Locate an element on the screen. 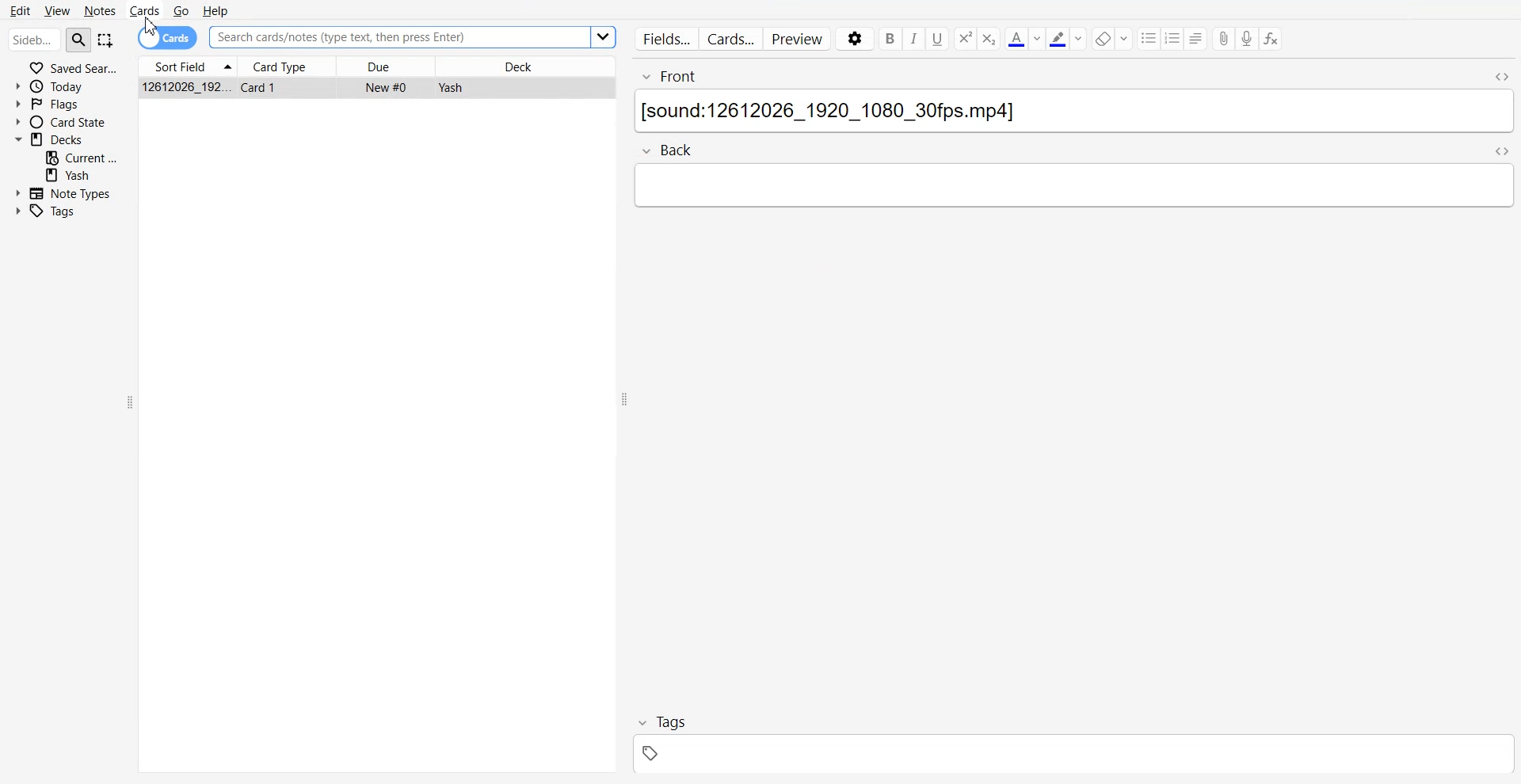  Toggle HTML Editor is located at coordinates (1503, 151).